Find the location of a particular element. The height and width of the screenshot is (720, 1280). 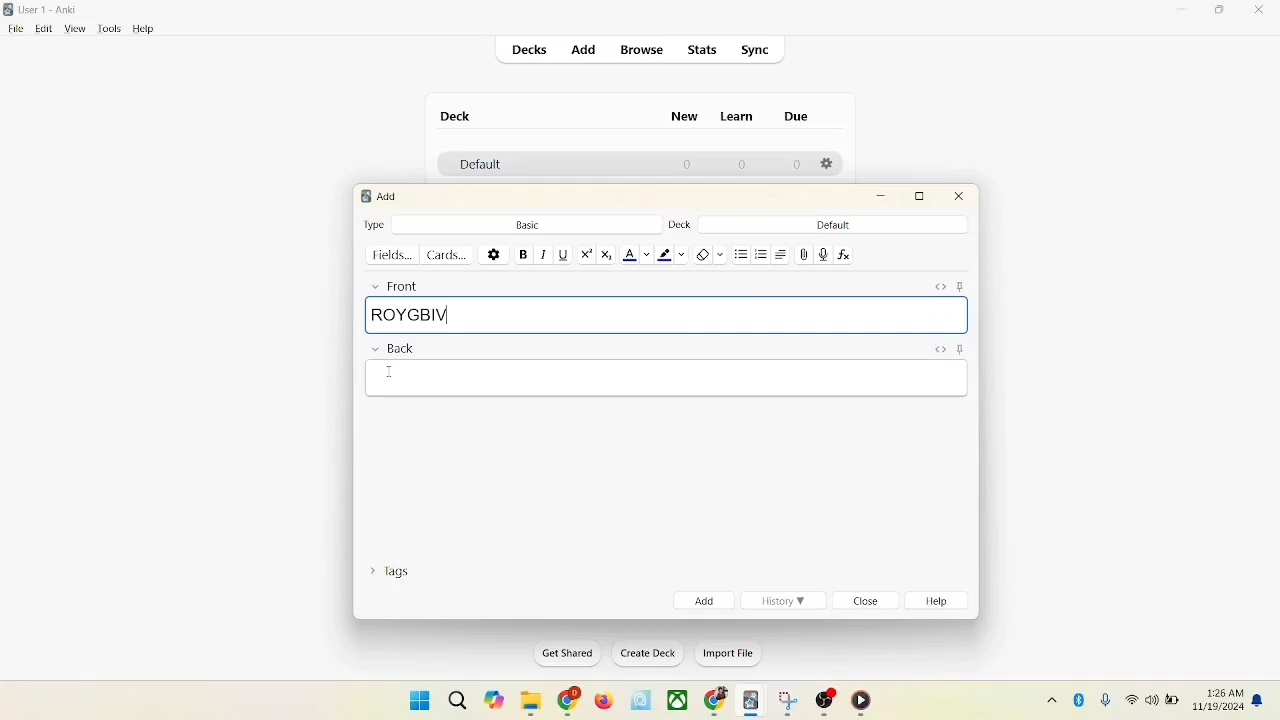

history is located at coordinates (784, 601).